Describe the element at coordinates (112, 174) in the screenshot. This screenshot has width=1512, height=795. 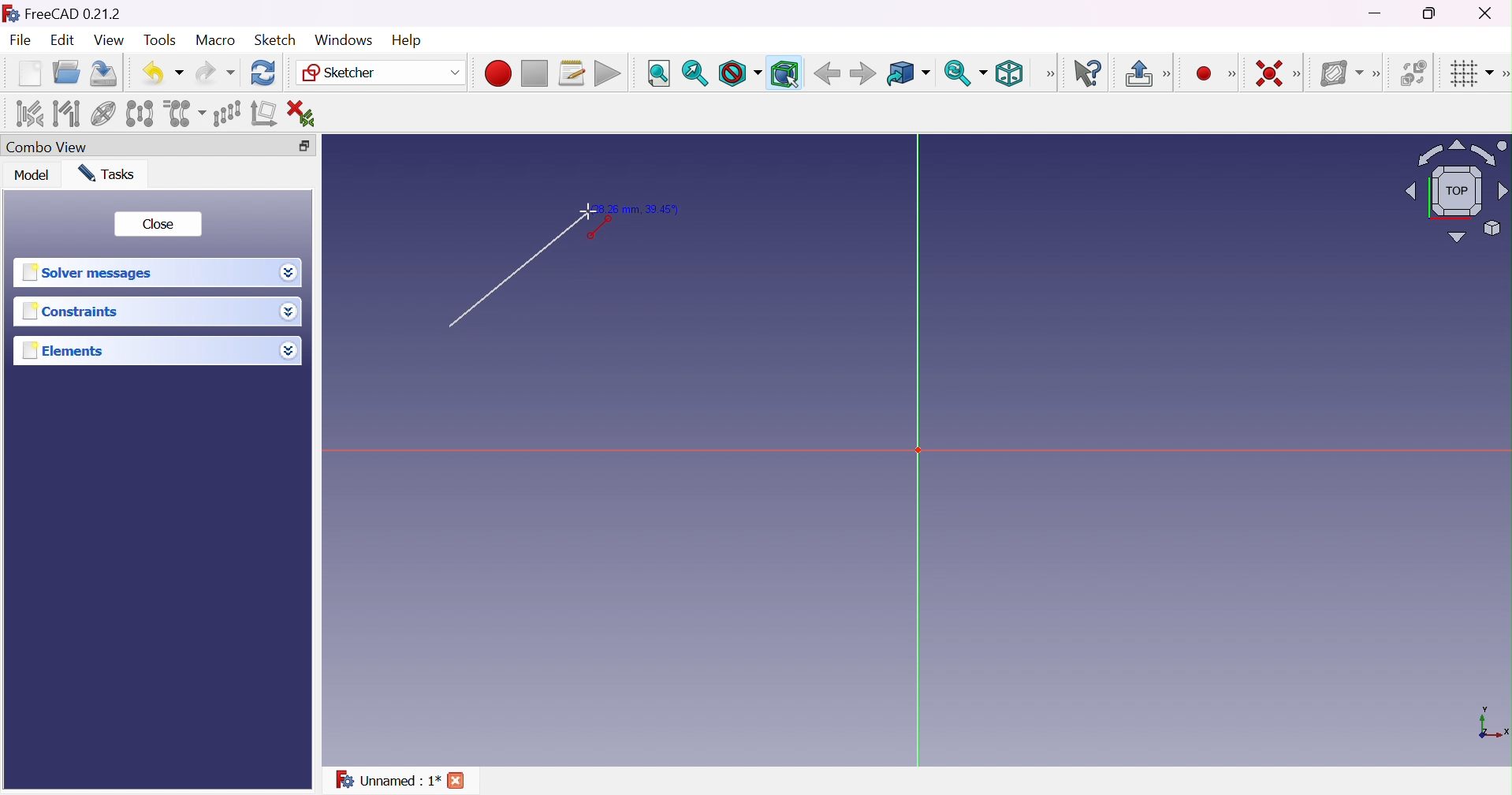
I see `Tasks` at that location.